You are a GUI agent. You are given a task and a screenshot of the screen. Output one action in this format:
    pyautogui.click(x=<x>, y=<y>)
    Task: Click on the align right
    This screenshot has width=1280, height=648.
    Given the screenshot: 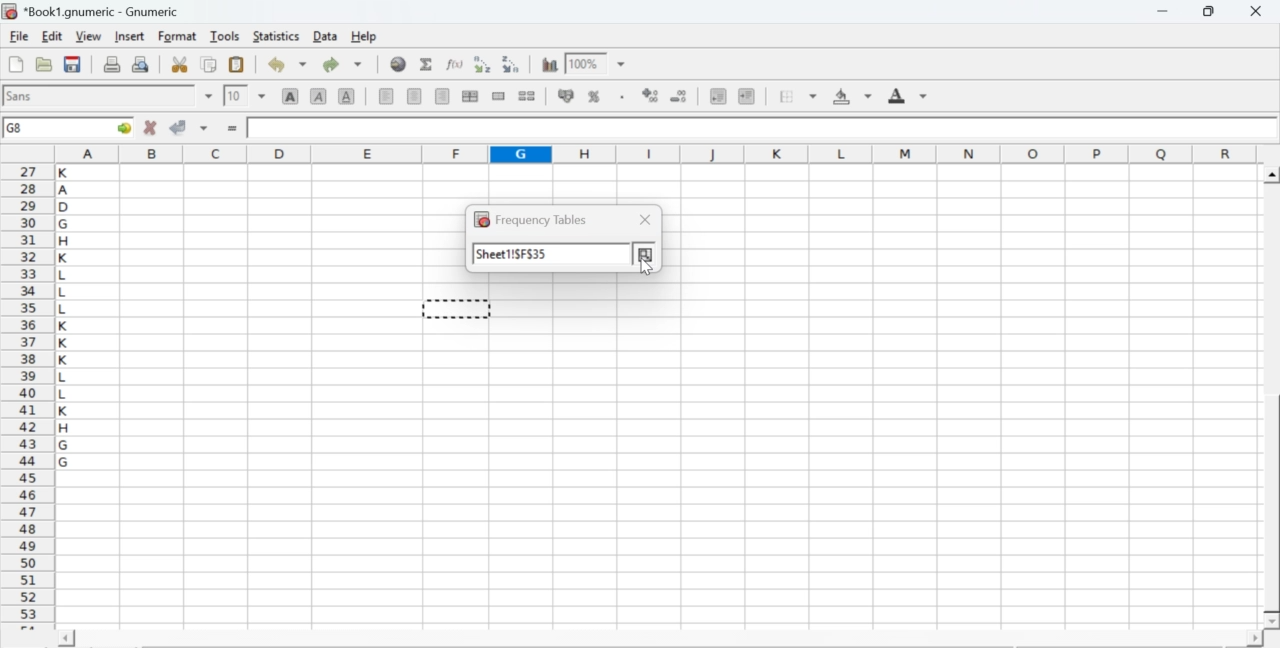 What is the action you would take?
    pyautogui.click(x=442, y=97)
    